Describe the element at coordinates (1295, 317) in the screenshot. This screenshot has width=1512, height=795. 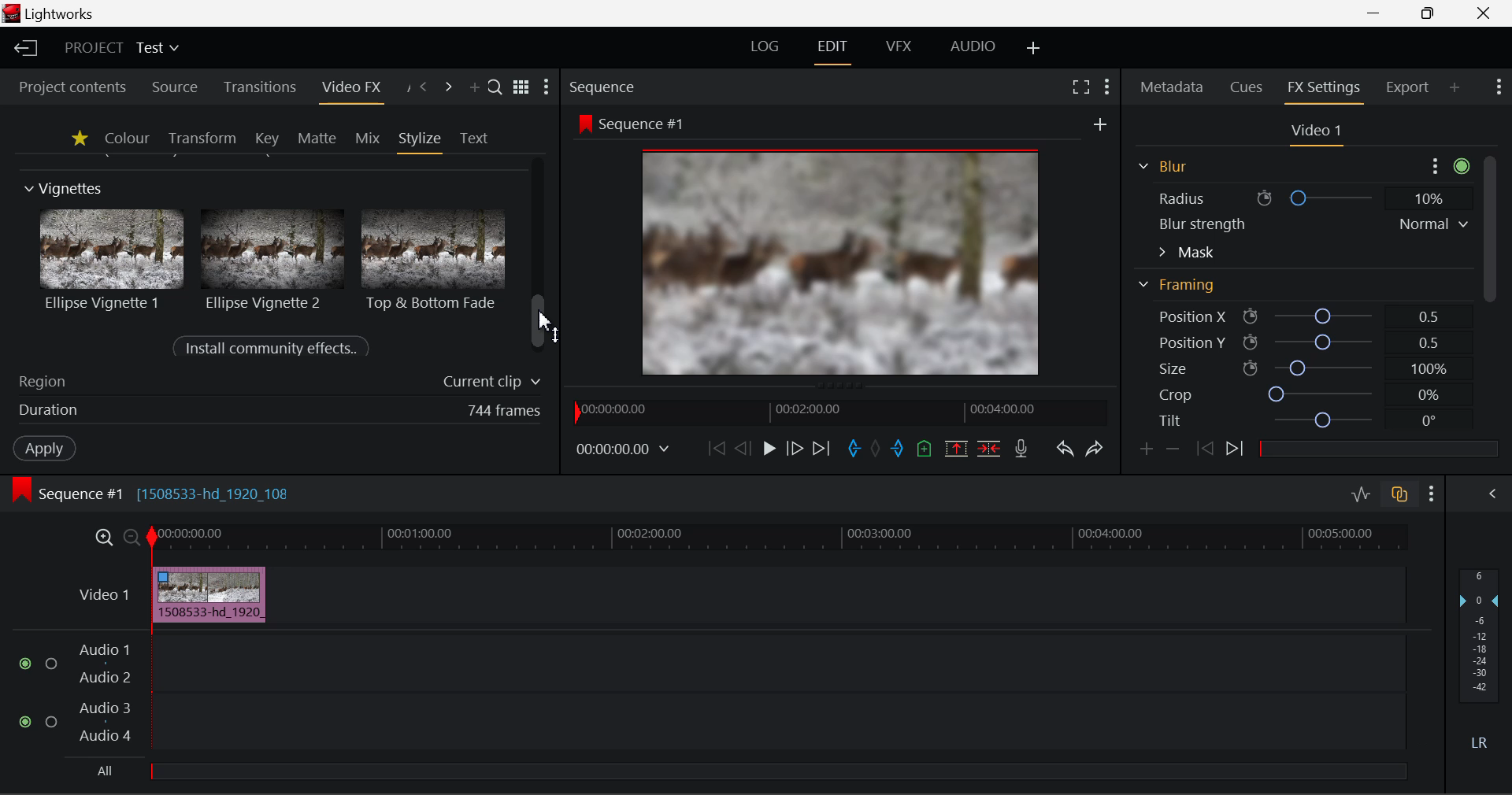
I see `Position X` at that location.